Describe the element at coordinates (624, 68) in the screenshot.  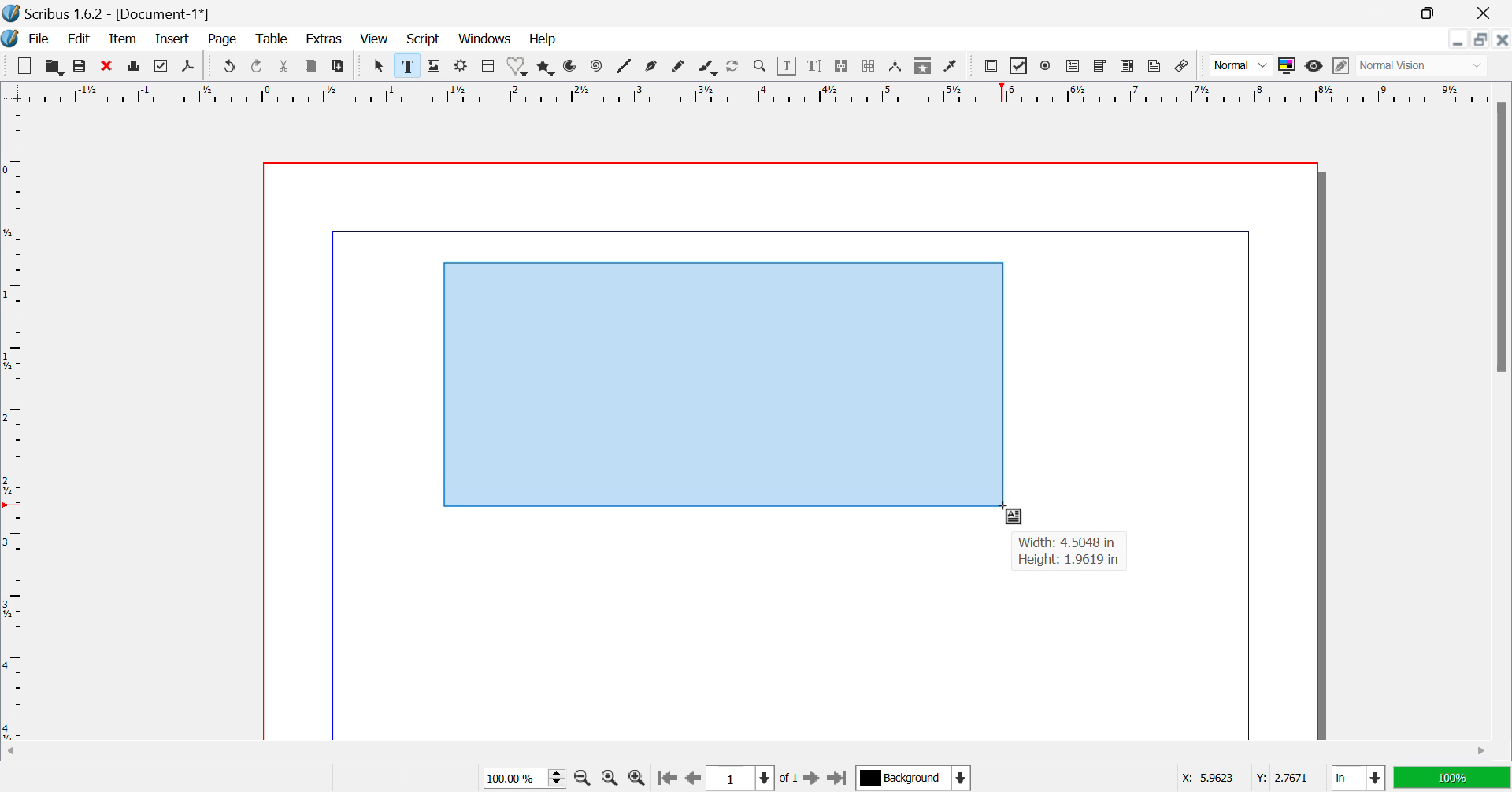
I see `Lines` at that location.